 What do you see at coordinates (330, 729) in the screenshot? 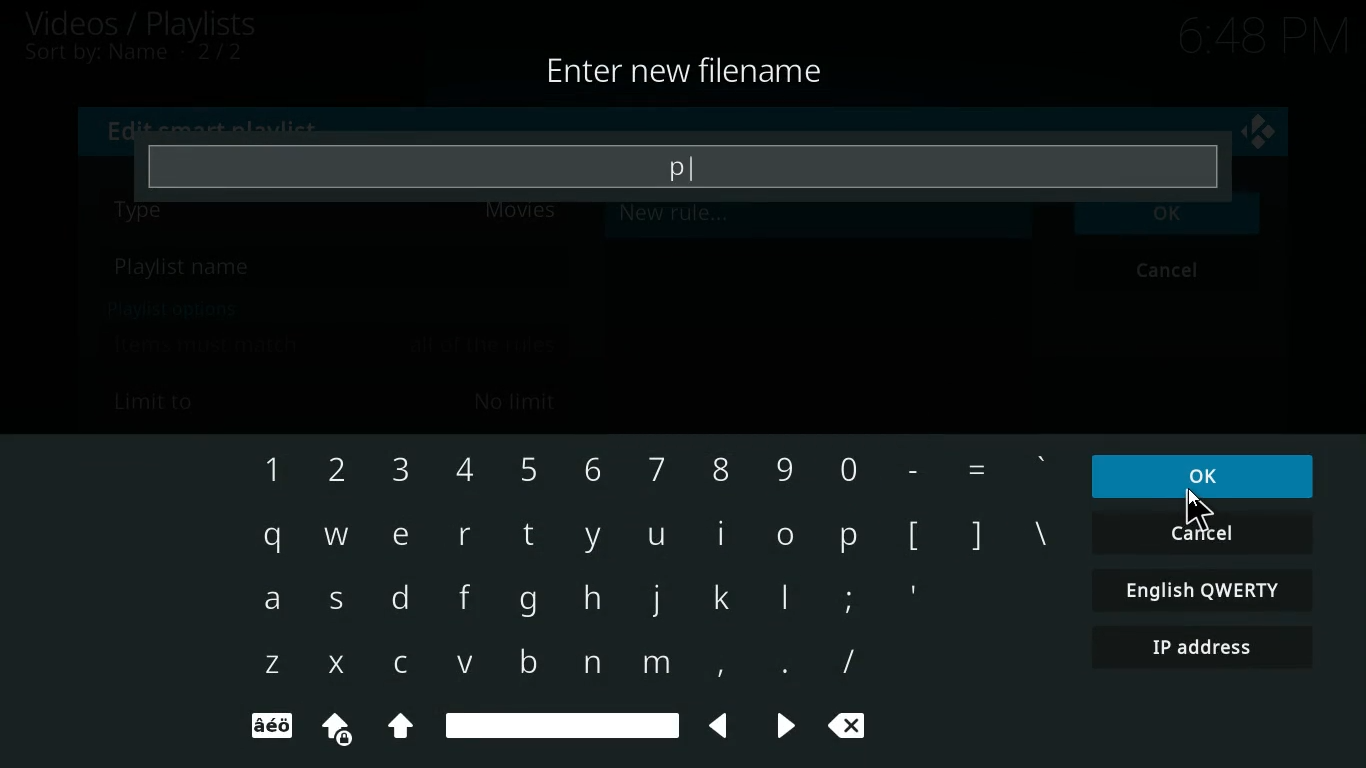
I see `lock capitalize` at bounding box center [330, 729].